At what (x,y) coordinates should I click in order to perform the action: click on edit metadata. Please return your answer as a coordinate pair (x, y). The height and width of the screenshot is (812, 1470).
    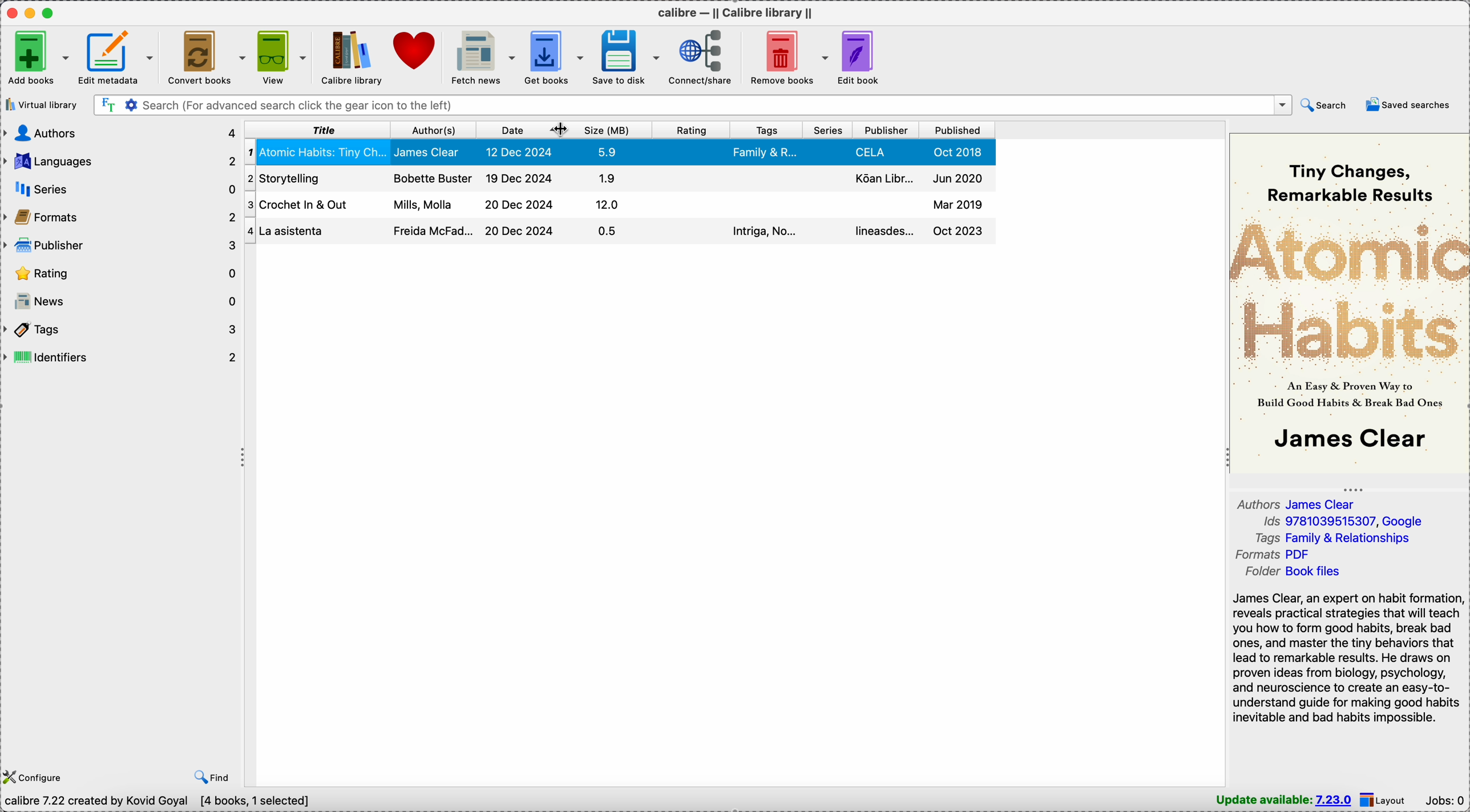
    Looking at the image, I should click on (119, 58).